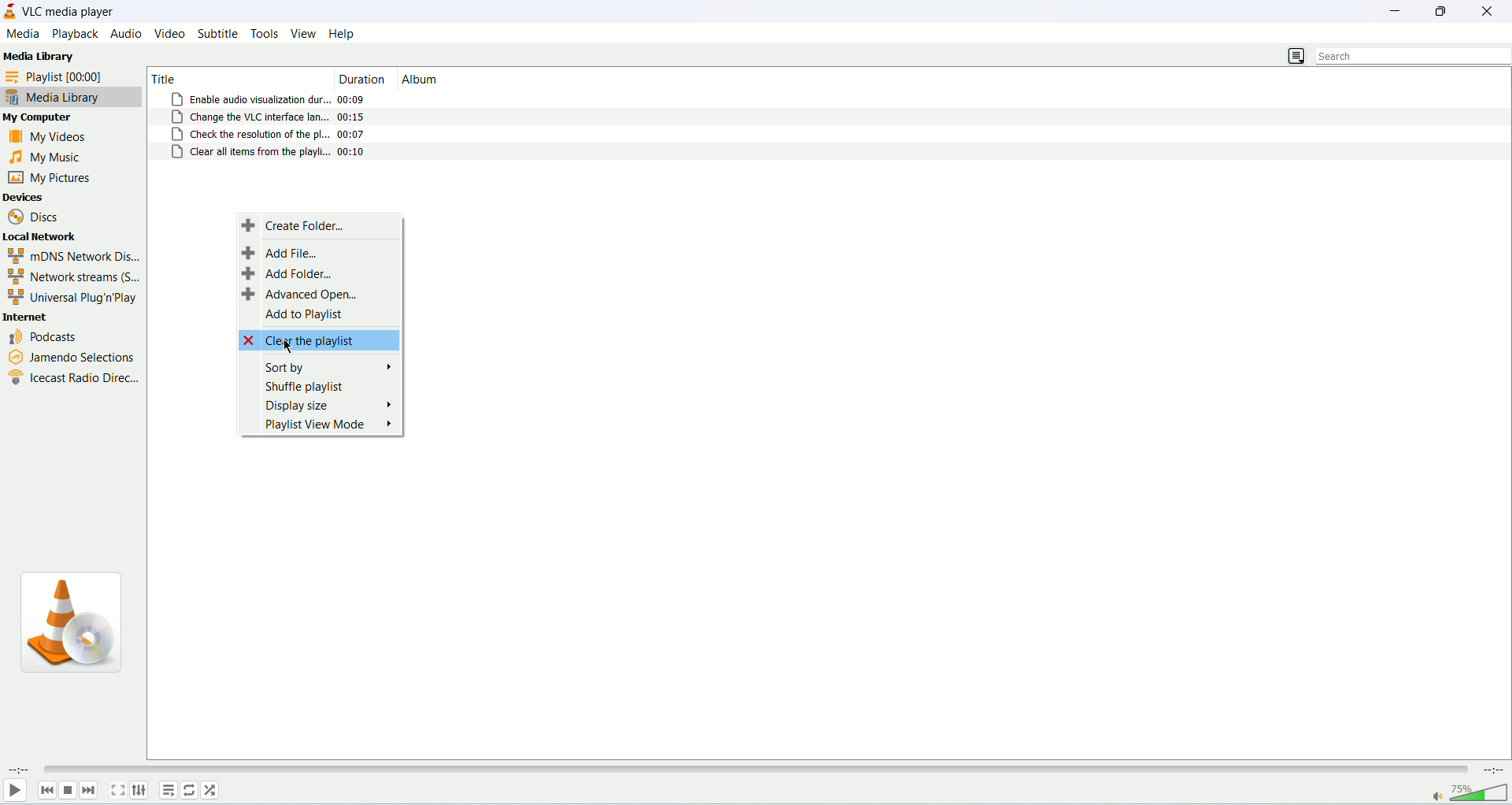 The image size is (1512, 805). I want to click on universal plug'n play, so click(72, 296).